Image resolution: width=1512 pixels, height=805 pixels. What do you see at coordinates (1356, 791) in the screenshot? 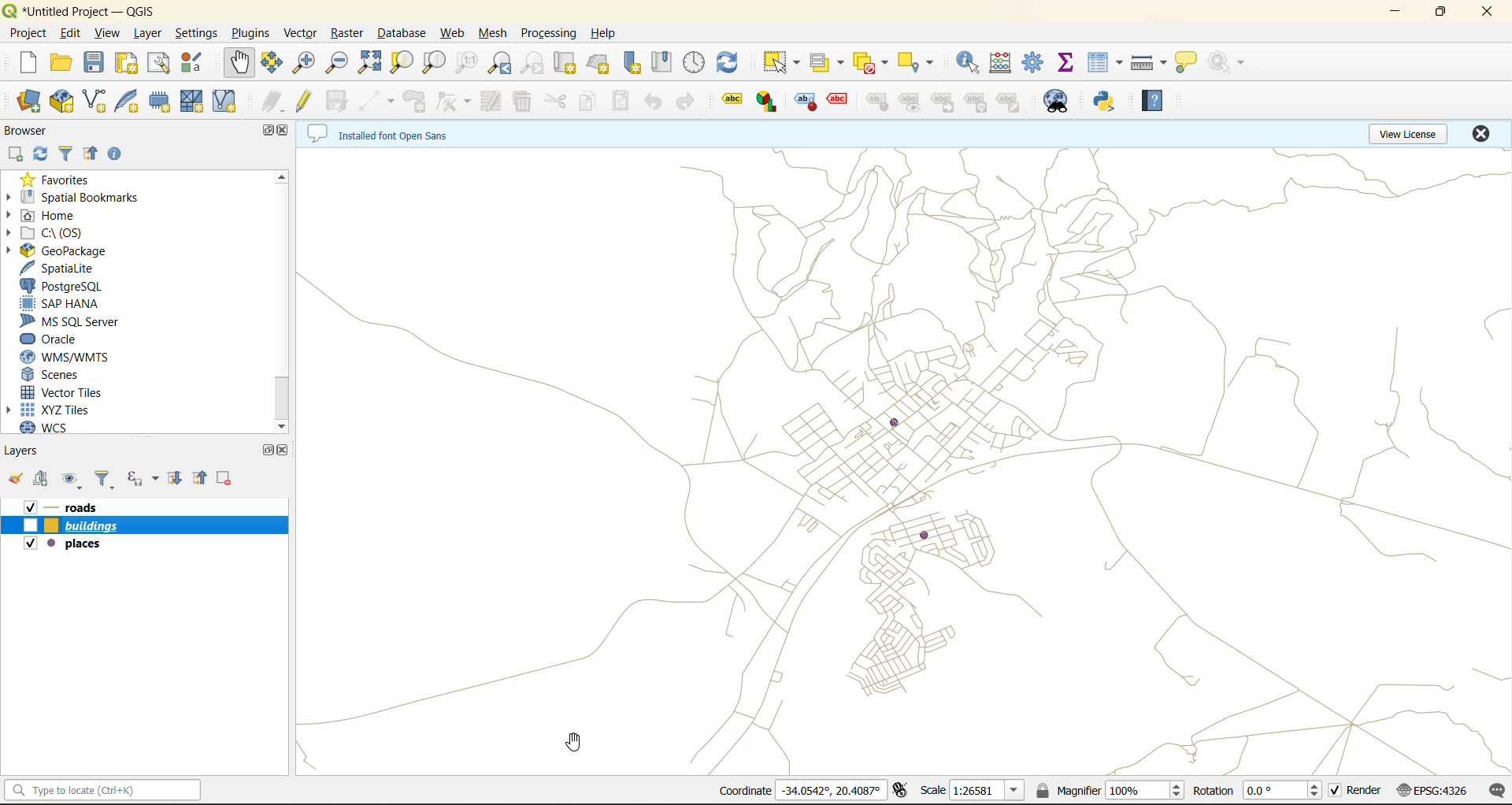
I see `render` at bounding box center [1356, 791].